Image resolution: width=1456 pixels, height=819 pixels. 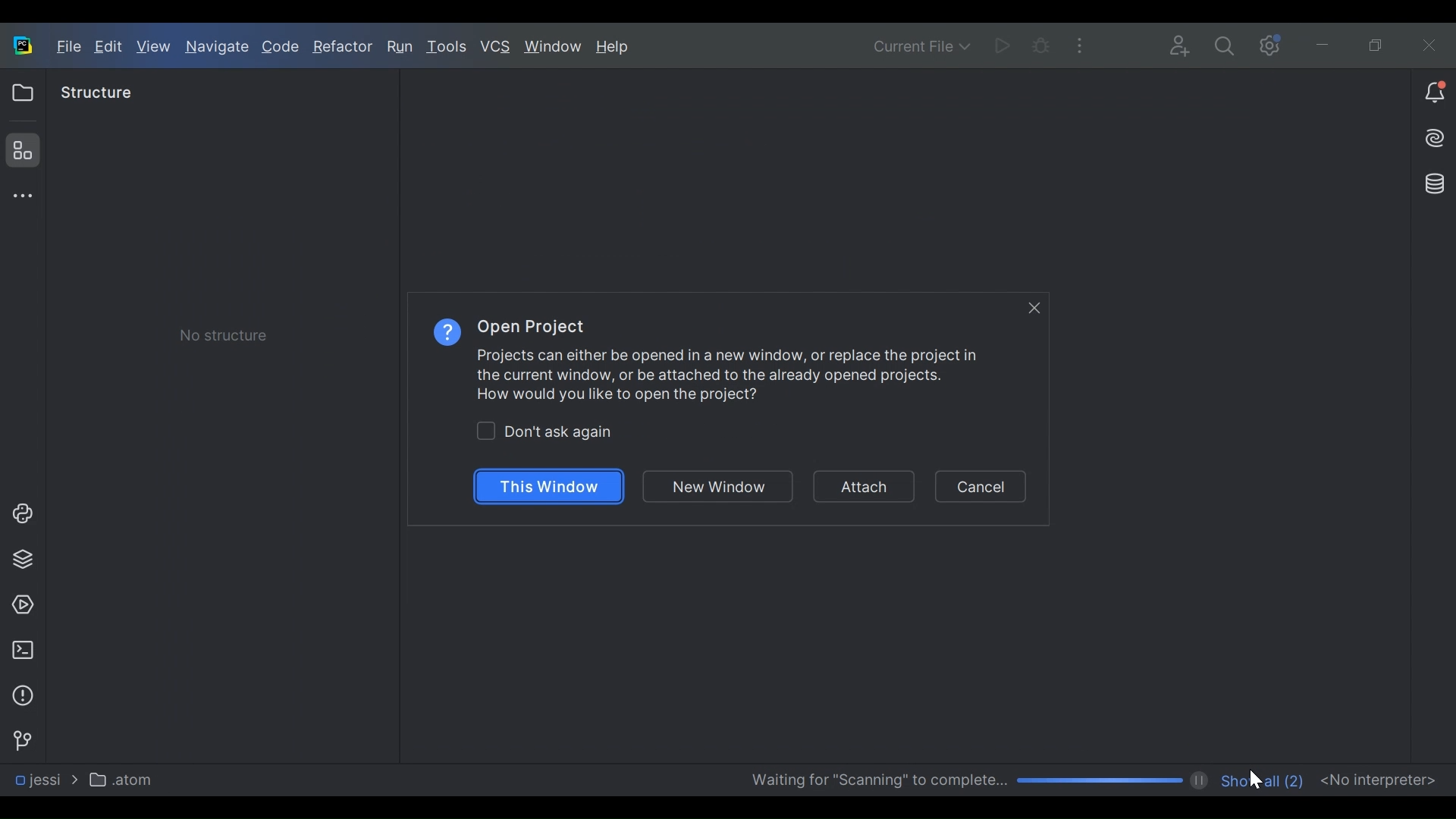 What do you see at coordinates (550, 486) in the screenshot?
I see `This Window` at bounding box center [550, 486].